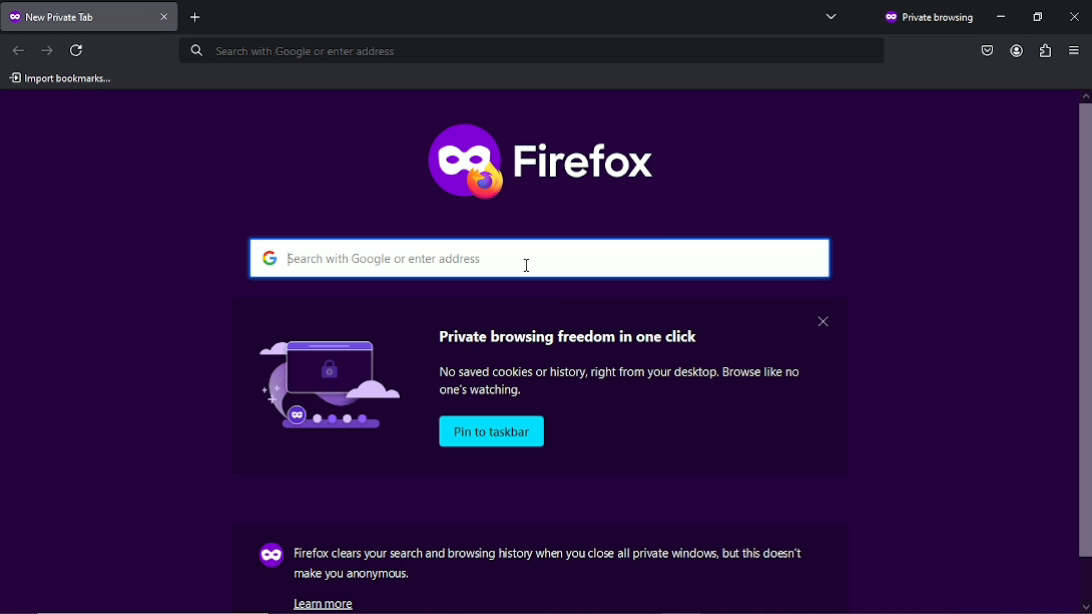 This screenshot has height=614, width=1092. What do you see at coordinates (1085, 356) in the screenshot?
I see `vertical scrollbar` at bounding box center [1085, 356].